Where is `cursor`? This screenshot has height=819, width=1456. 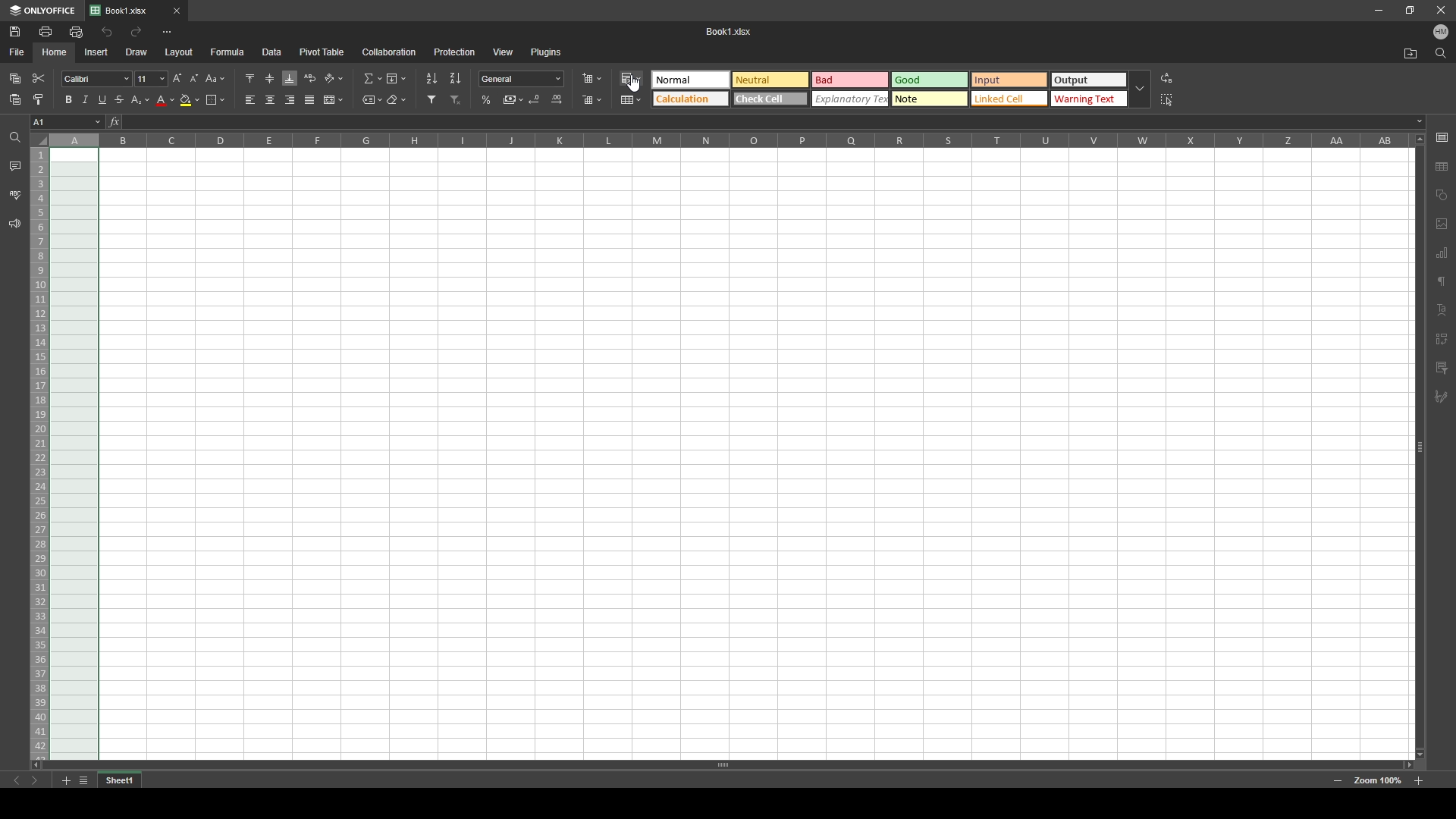
cursor is located at coordinates (633, 83).